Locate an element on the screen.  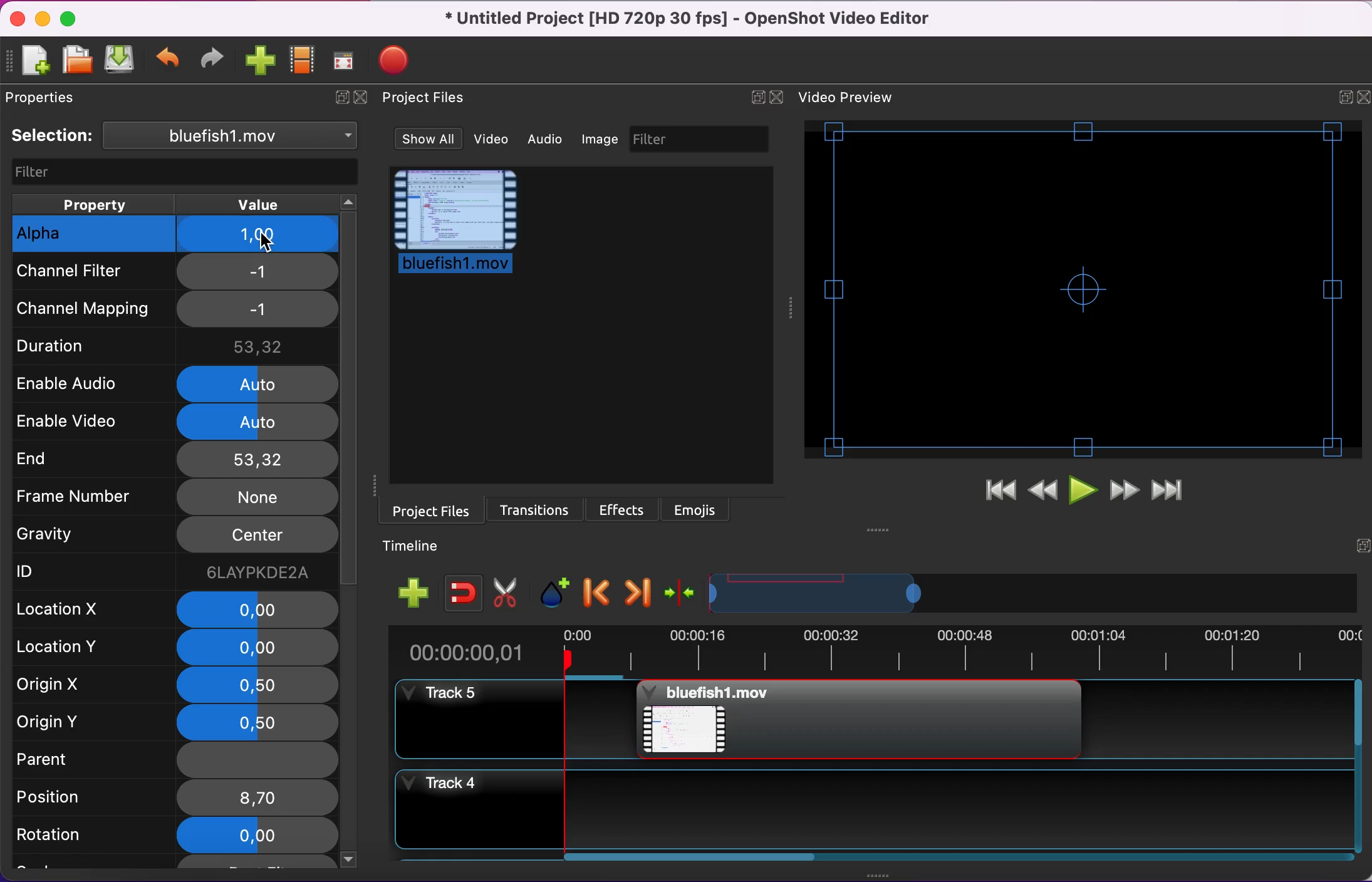
ID is located at coordinates (67, 573).